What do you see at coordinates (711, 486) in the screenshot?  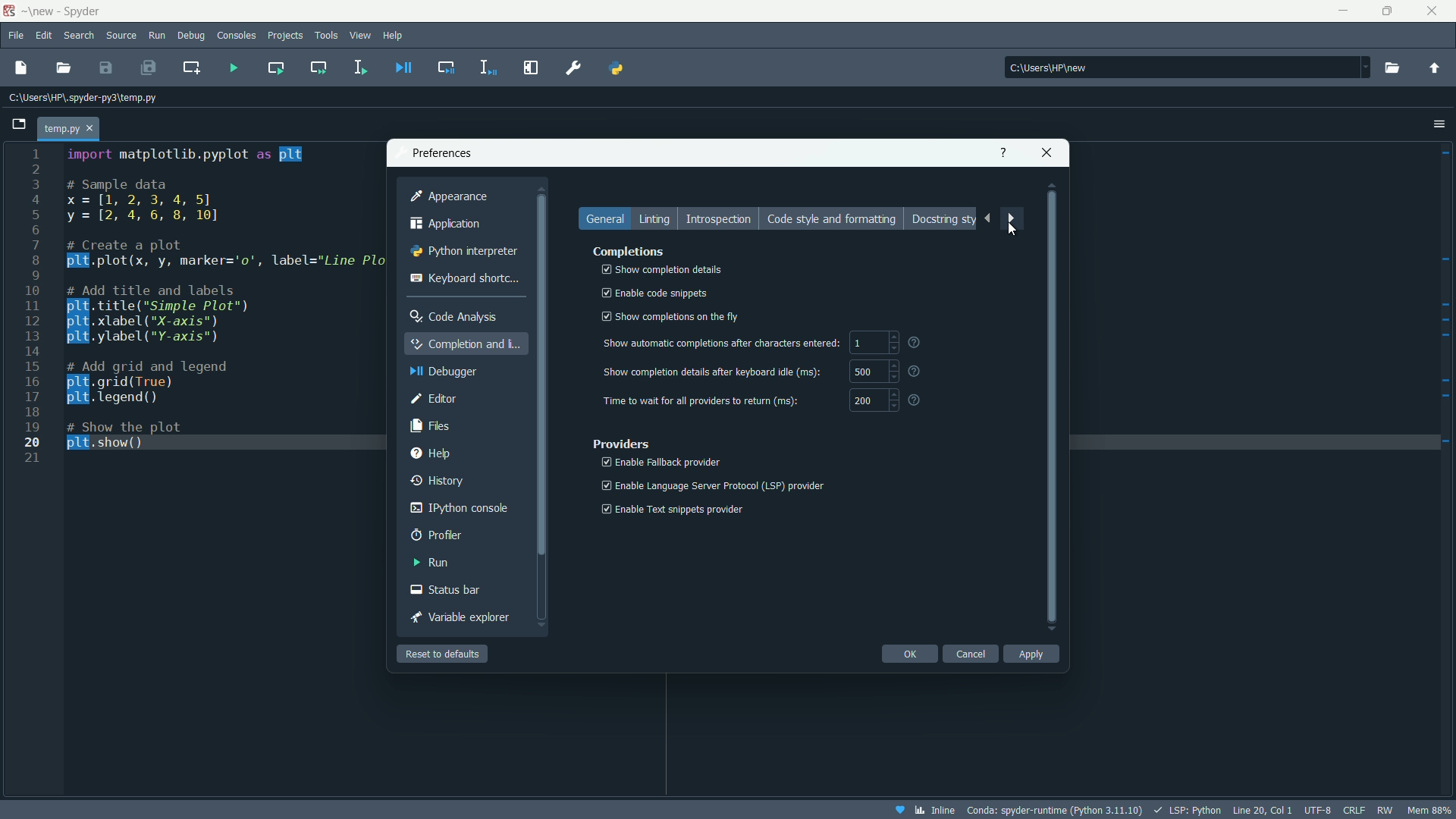 I see `enable language server protocol(LSP) provider` at bounding box center [711, 486].